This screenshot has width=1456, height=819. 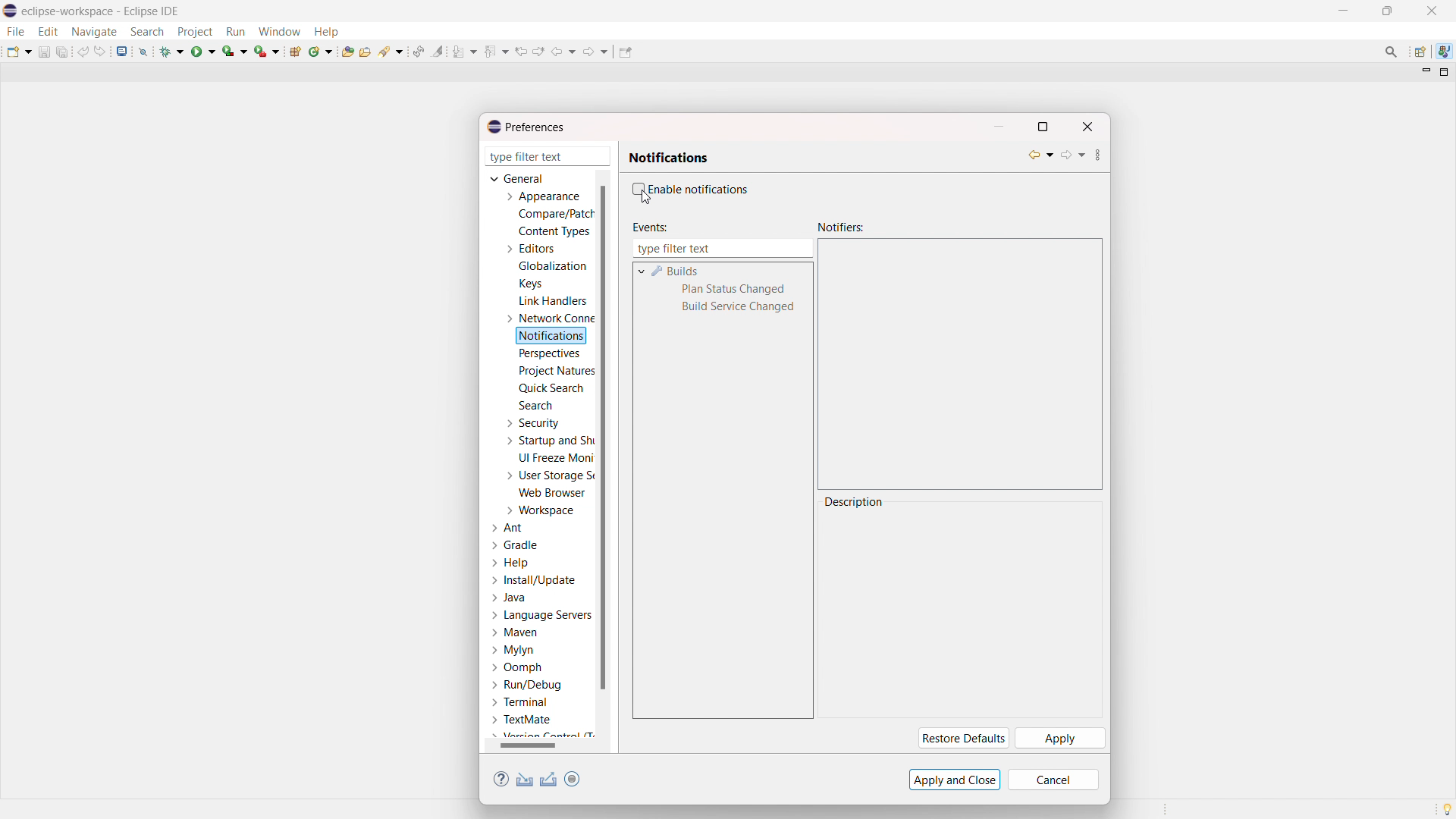 I want to click on build service changed, so click(x=738, y=308).